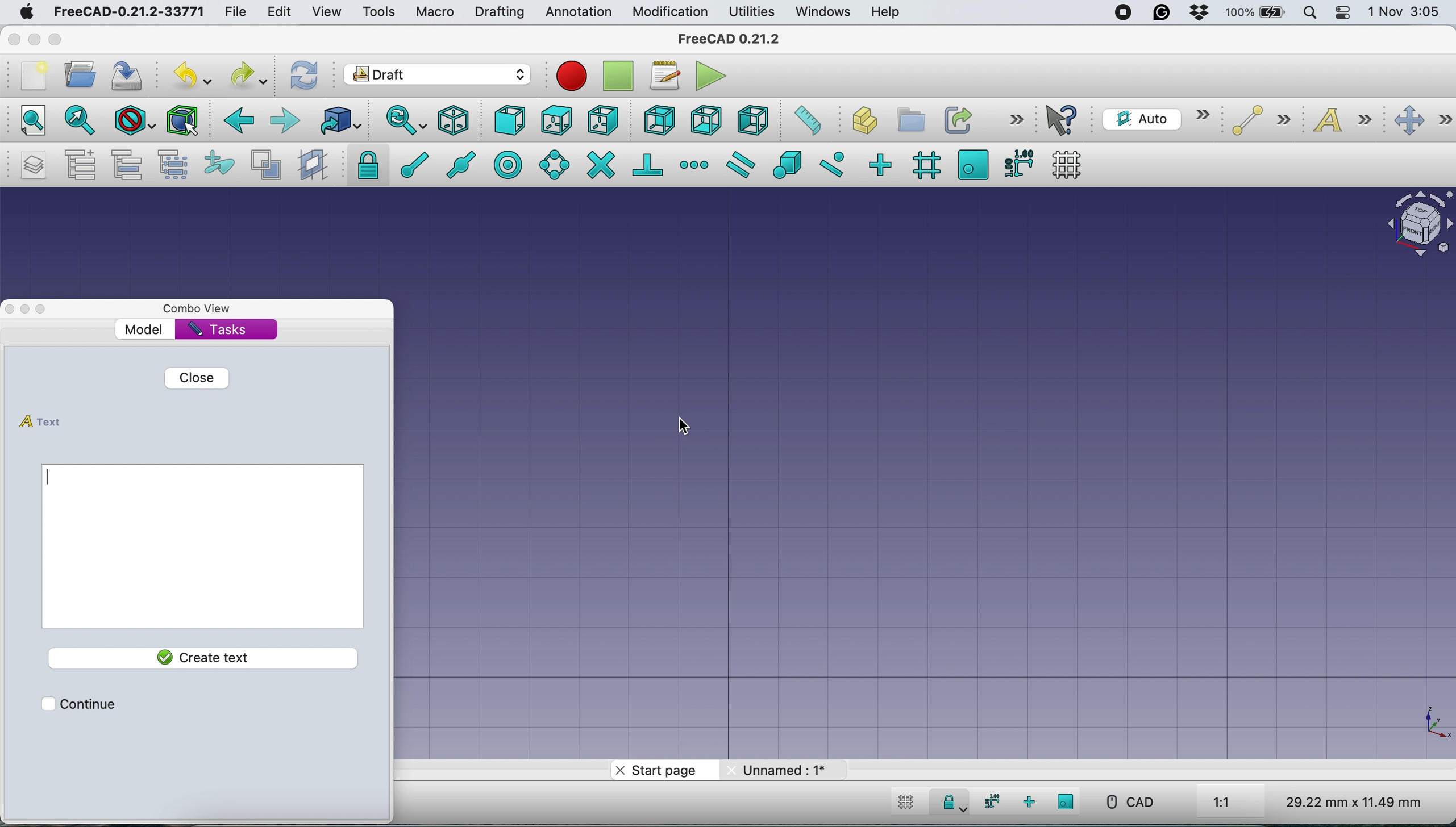  What do you see at coordinates (1117, 12) in the screenshot?
I see `screen recorder` at bounding box center [1117, 12].